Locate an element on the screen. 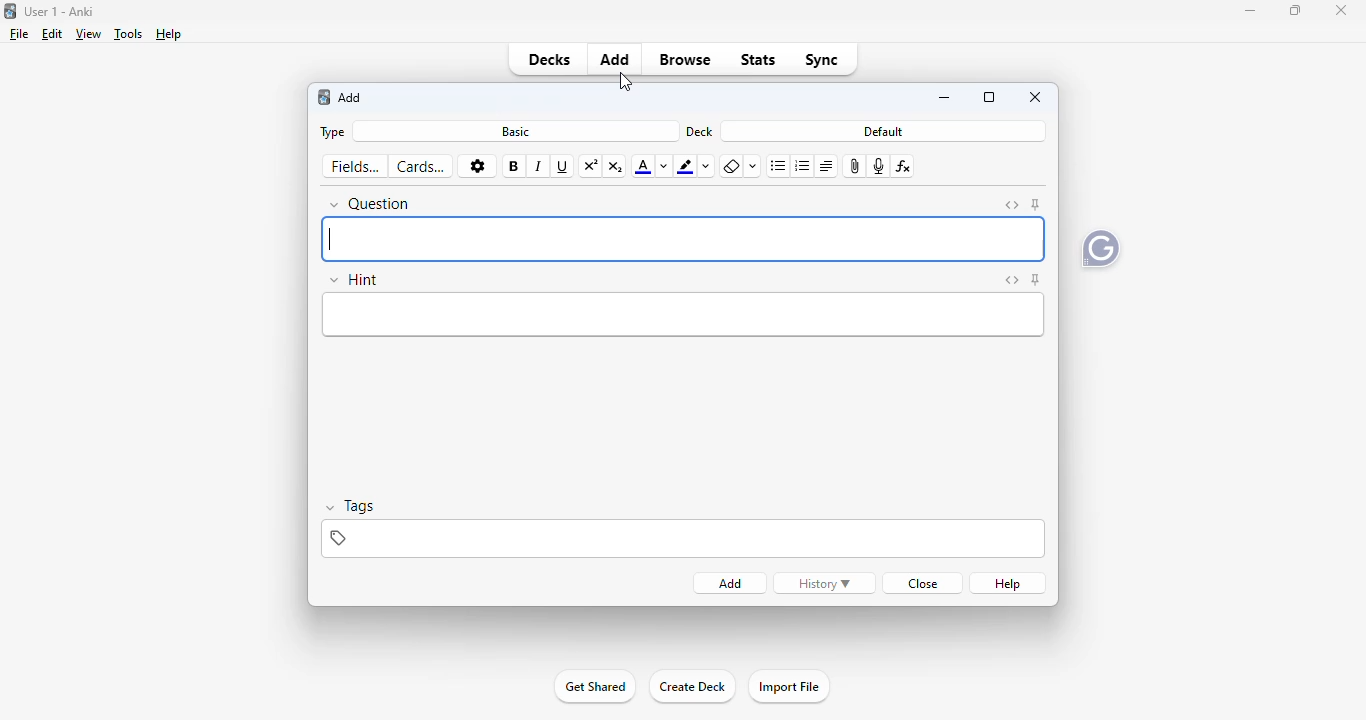 Image resolution: width=1366 pixels, height=720 pixels. equations is located at coordinates (904, 166).